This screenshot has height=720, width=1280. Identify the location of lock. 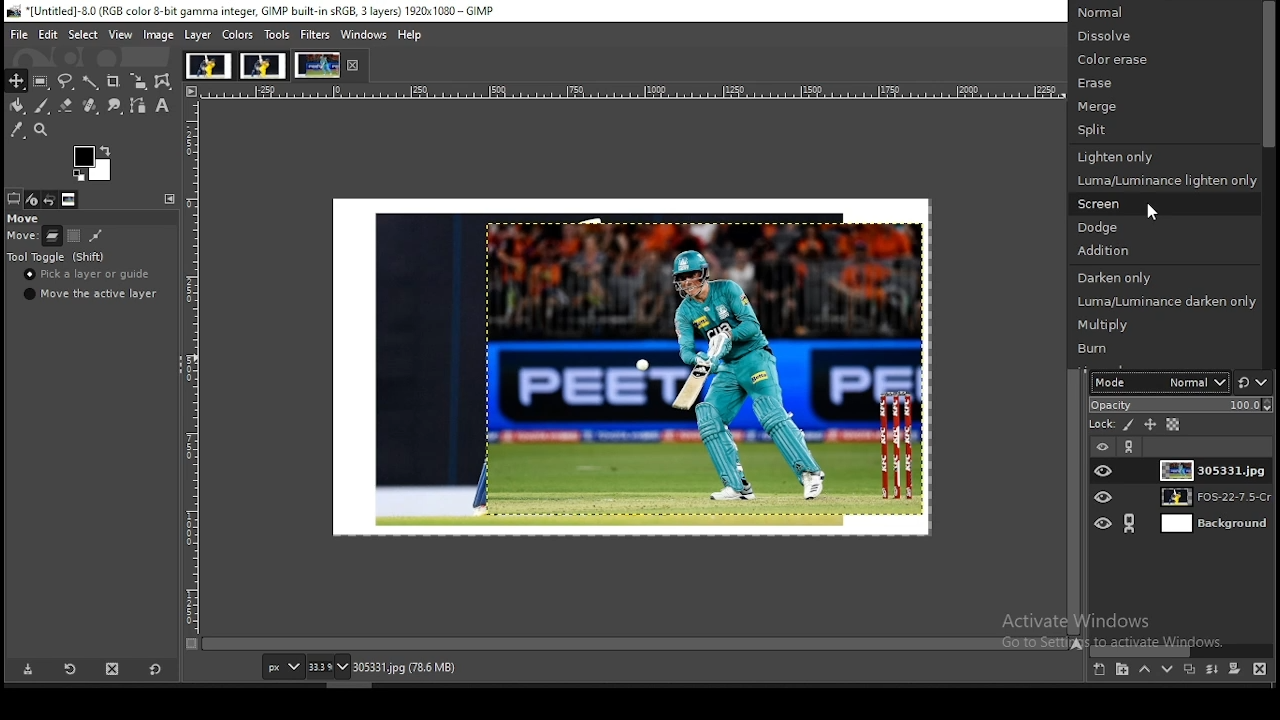
(1104, 424).